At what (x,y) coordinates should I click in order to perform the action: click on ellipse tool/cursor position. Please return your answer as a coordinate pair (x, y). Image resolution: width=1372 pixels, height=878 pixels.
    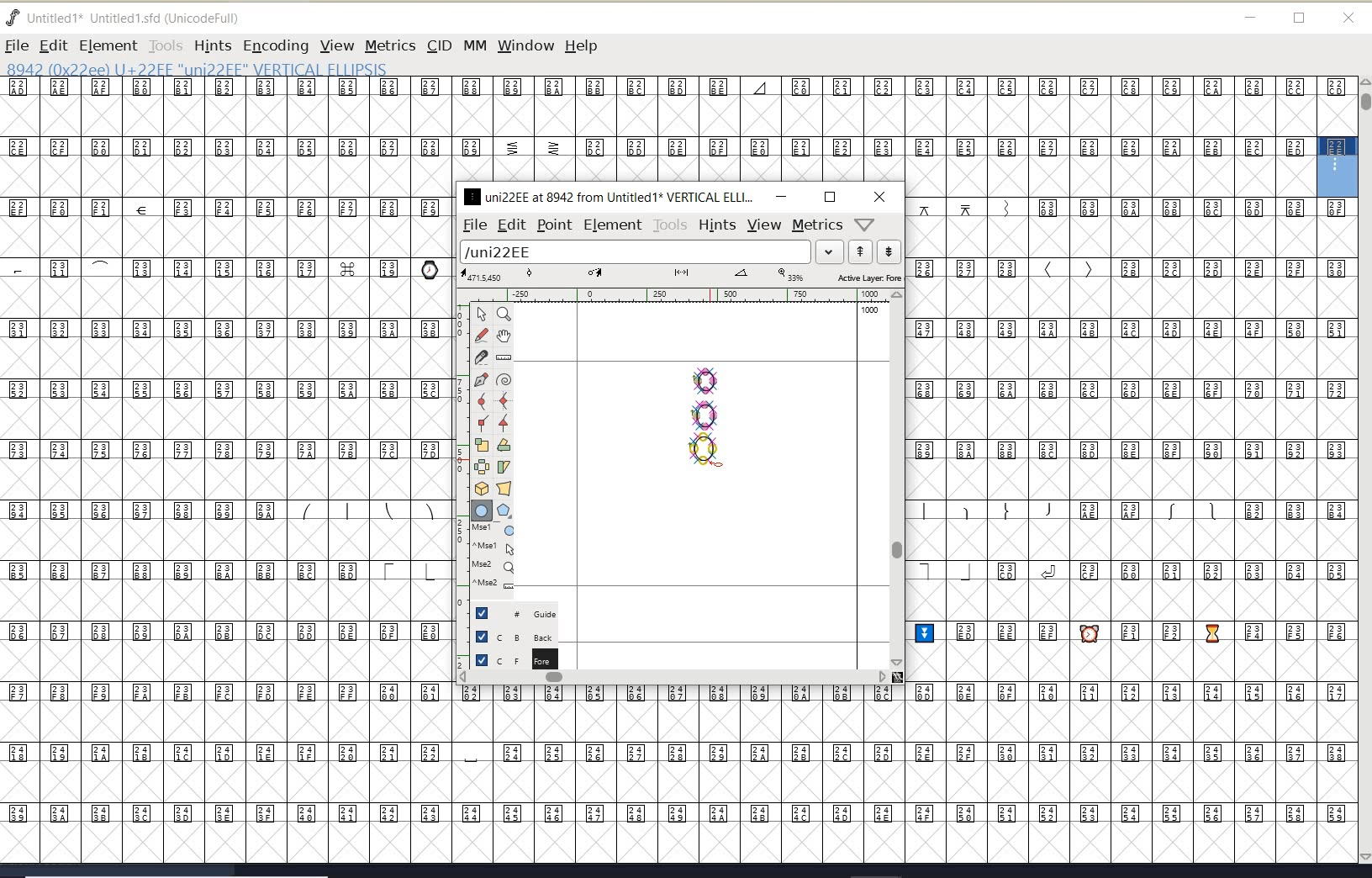
    Looking at the image, I should click on (719, 463).